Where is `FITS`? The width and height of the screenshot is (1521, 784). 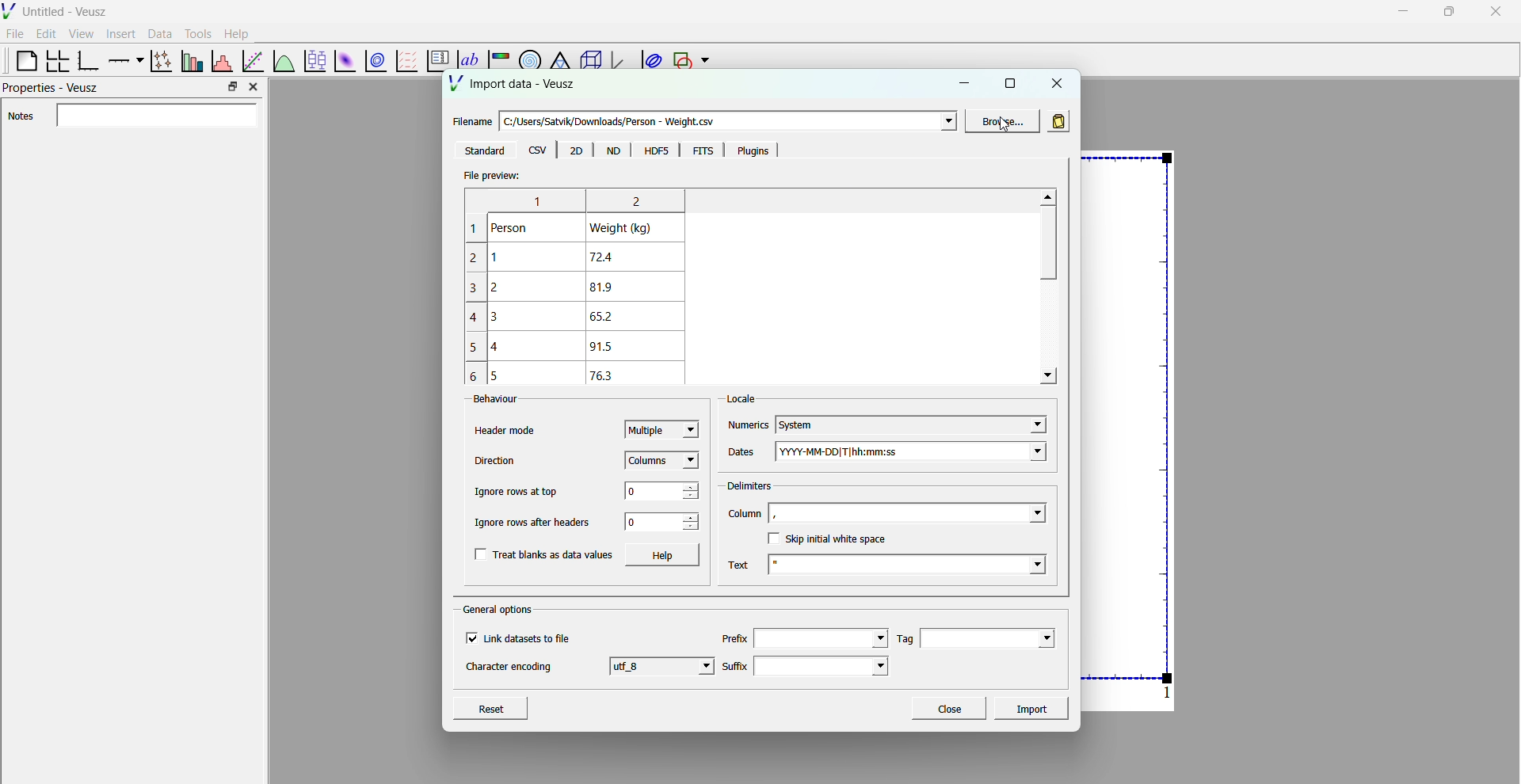
FITS is located at coordinates (699, 150).